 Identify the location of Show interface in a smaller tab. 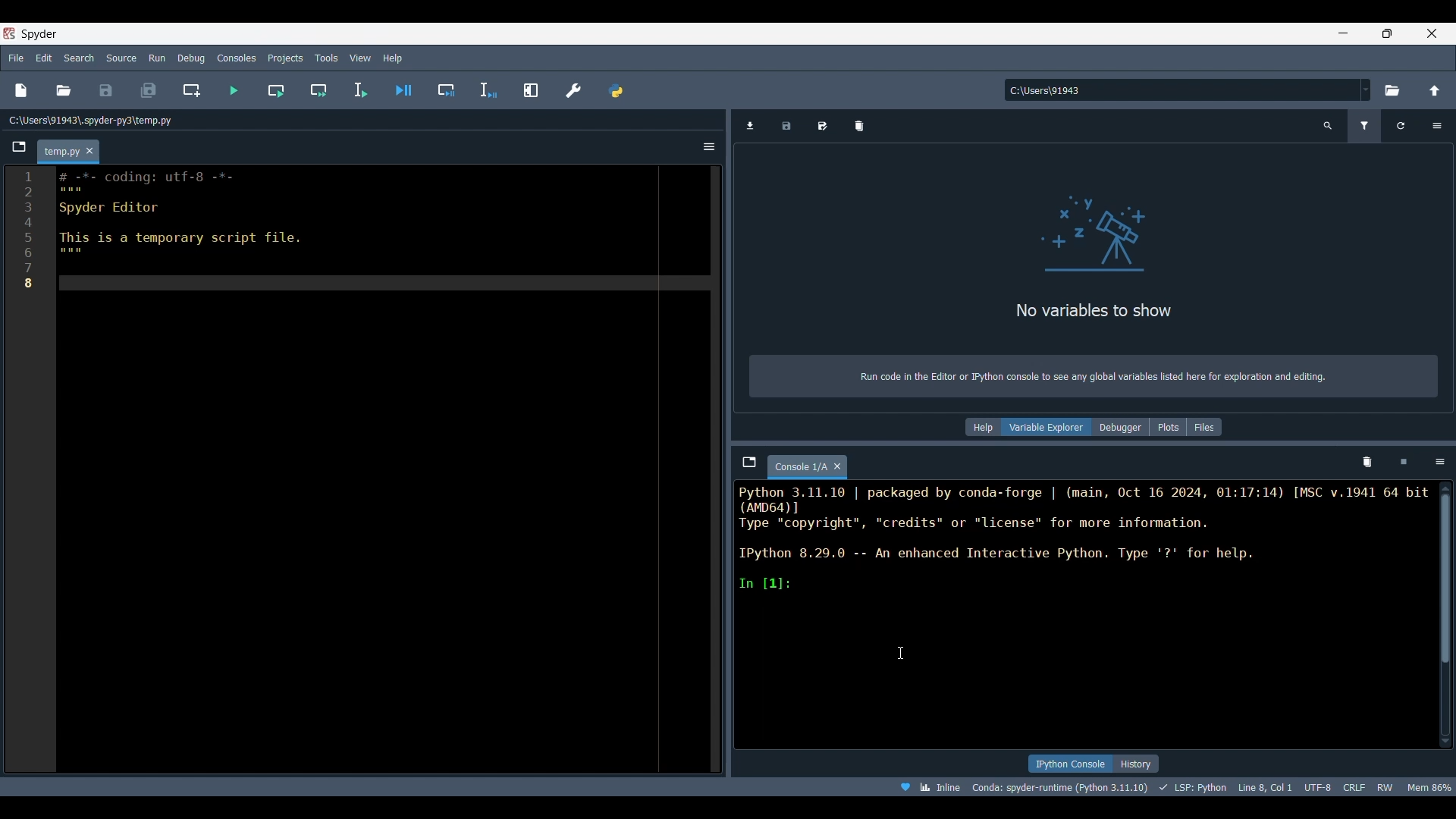
(1387, 33).